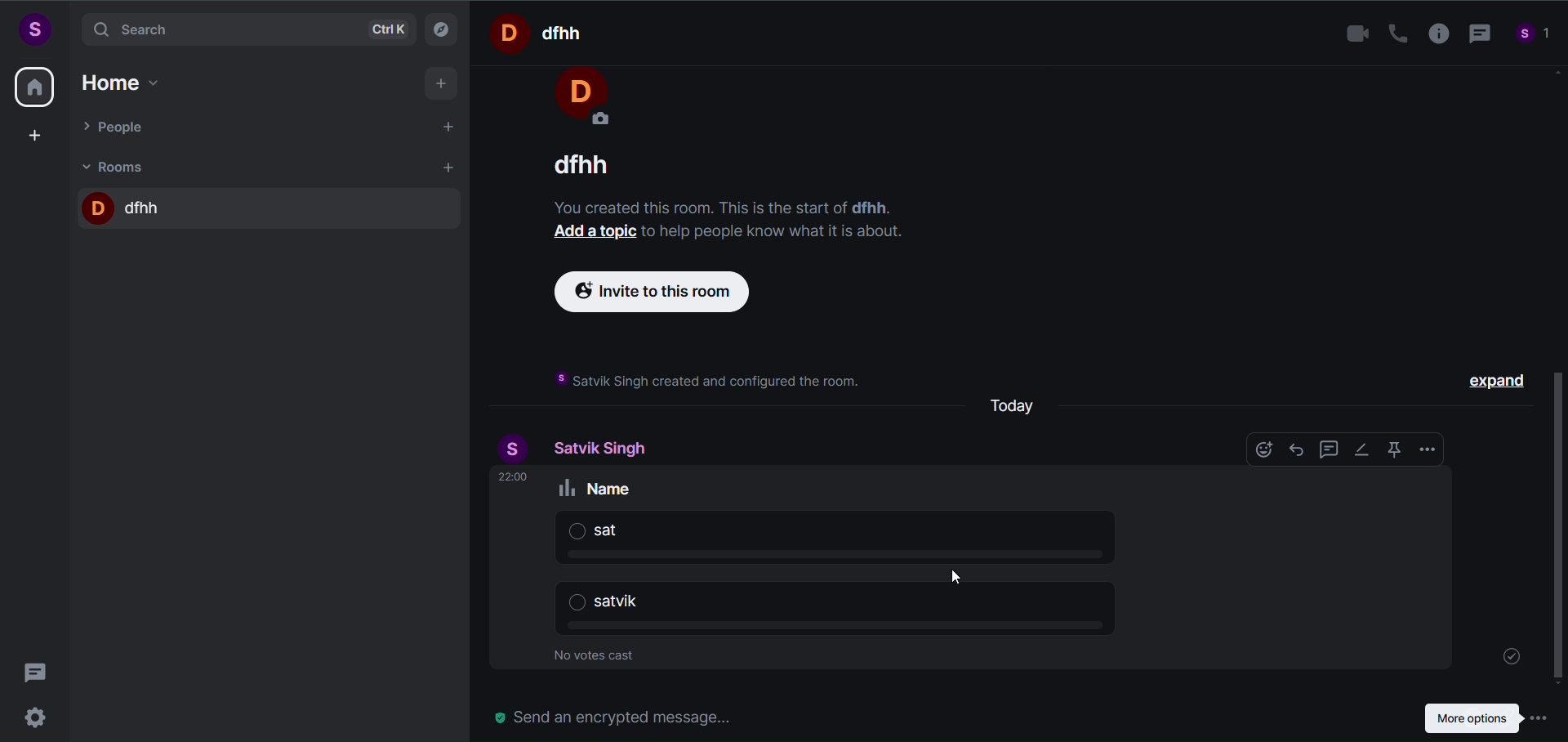 The image size is (1568, 742). Describe the element at coordinates (451, 168) in the screenshot. I see `add room` at that location.